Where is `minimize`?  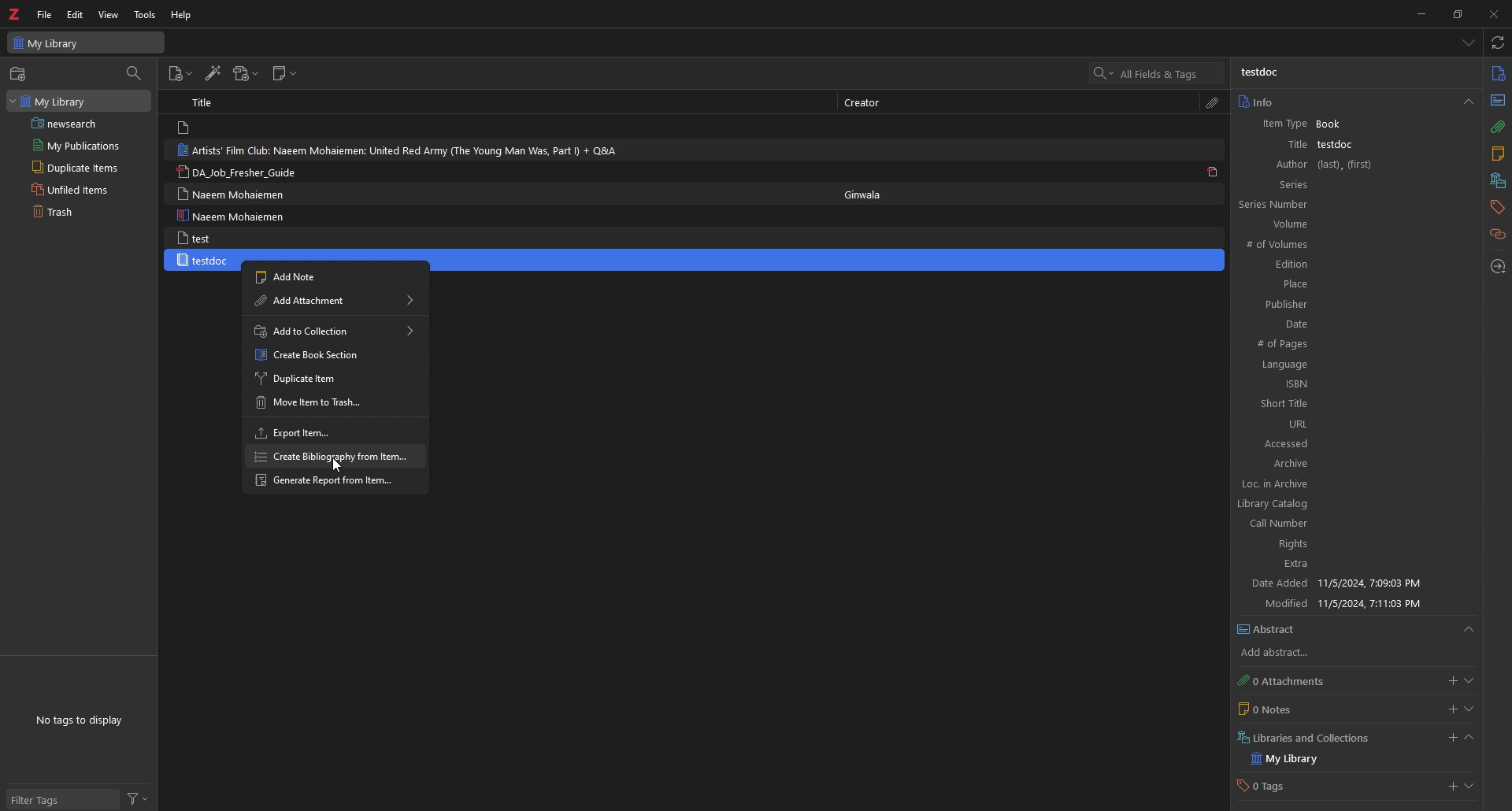 minimize is located at coordinates (1417, 13).